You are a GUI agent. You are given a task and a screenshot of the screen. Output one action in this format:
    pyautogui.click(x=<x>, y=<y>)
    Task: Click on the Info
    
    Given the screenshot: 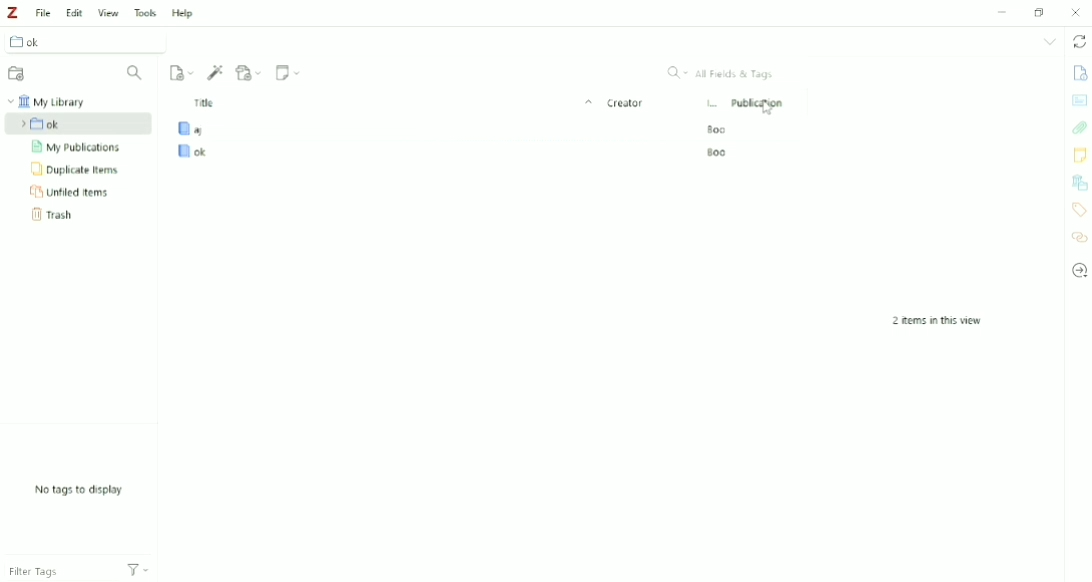 What is the action you would take?
    pyautogui.click(x=1080, y=72)
    